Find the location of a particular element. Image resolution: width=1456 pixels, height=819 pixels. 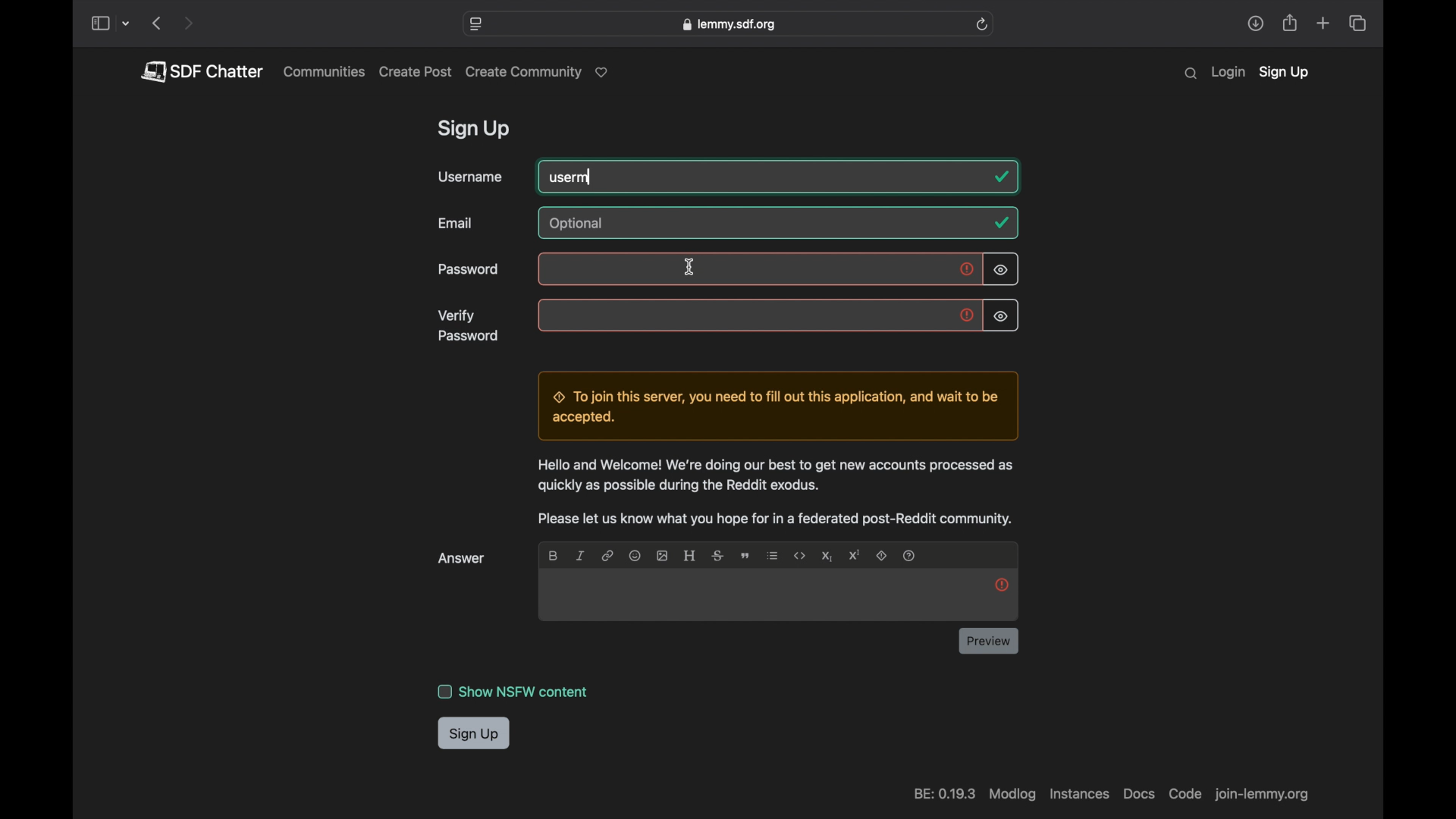

show tab overview is located at coordinates (1357, 24).